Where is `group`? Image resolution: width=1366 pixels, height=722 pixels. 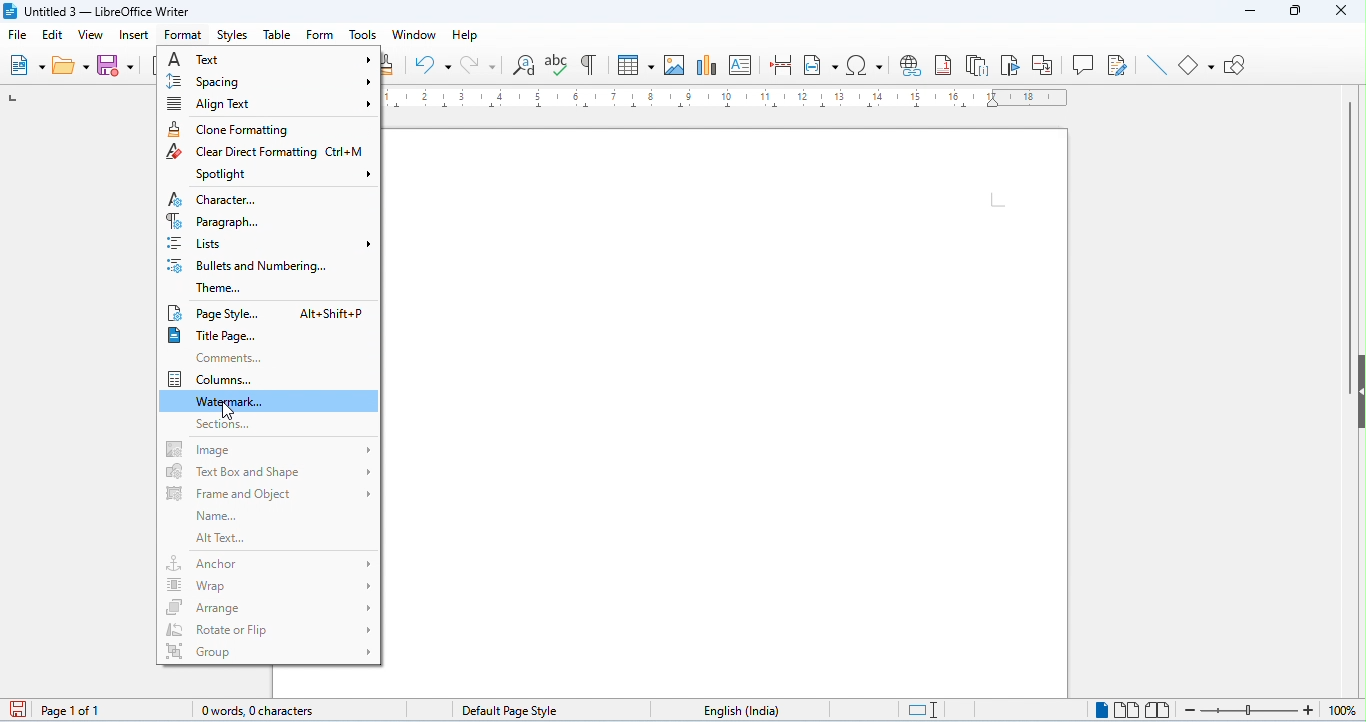
group is located at coordinates (266, 651).